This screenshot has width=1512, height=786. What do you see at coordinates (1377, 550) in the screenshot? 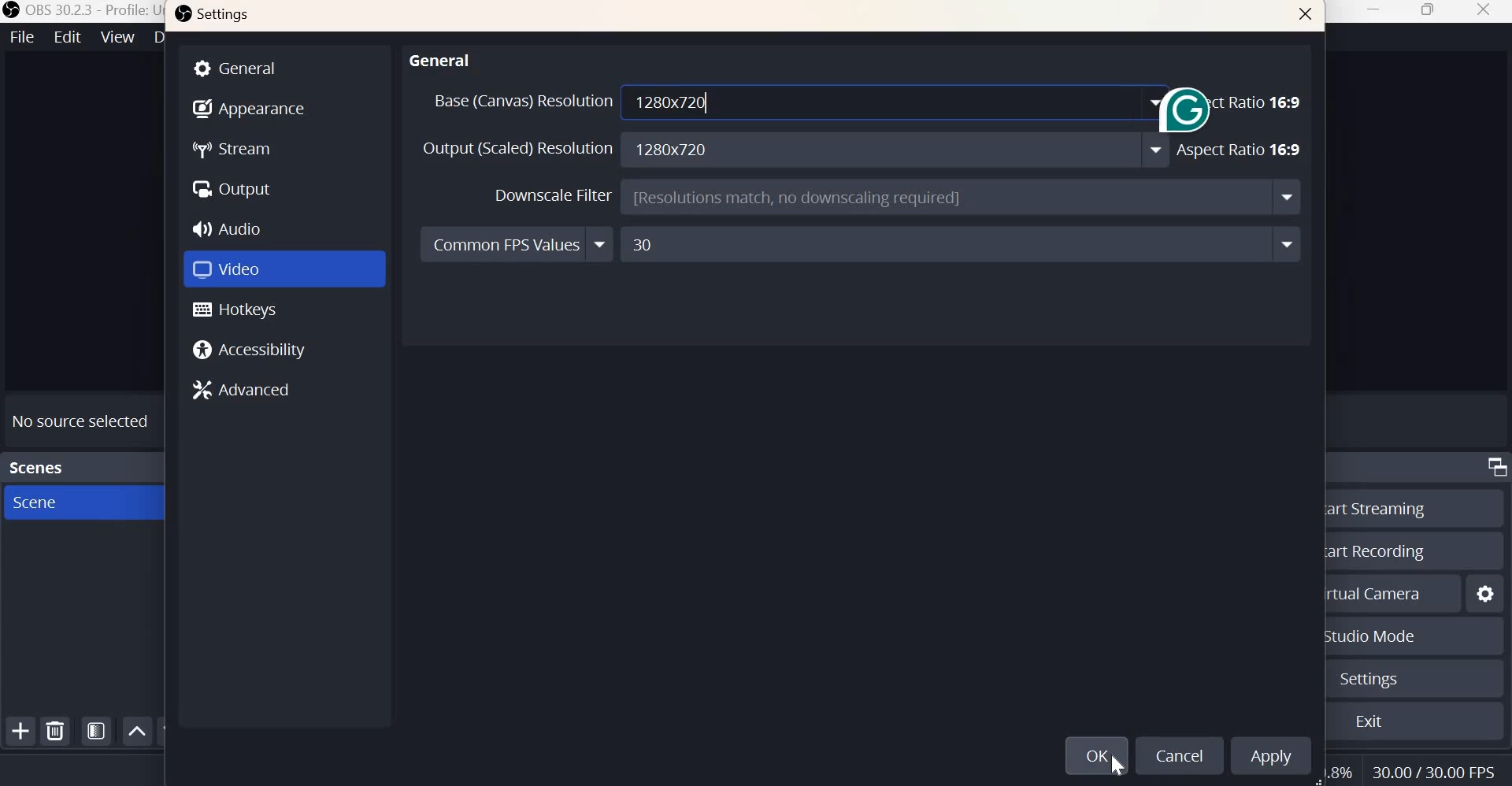
I see `Start recording` at bounding box center [1377, 550].